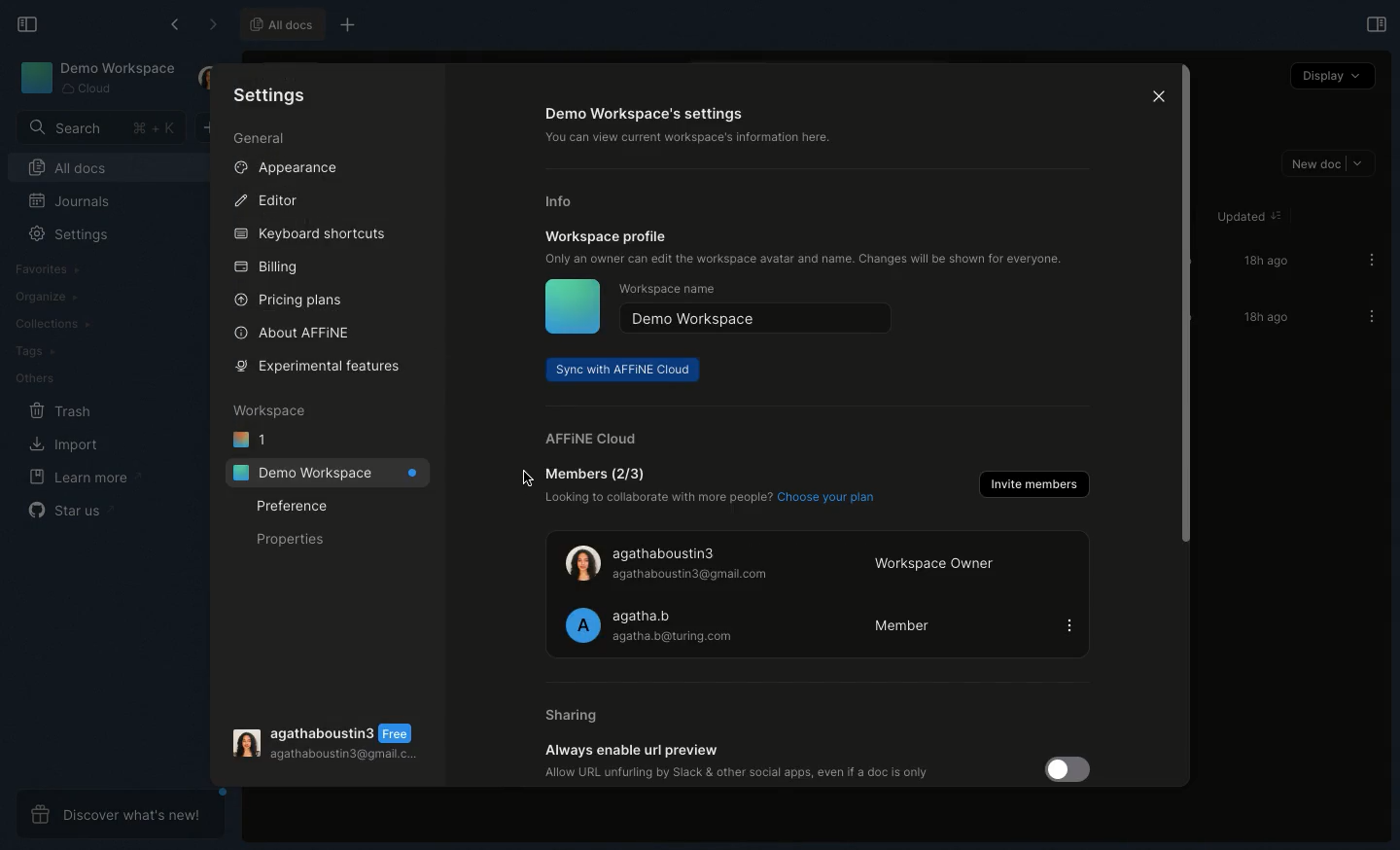 Image resolution: width=1400 pixels, height=850 pixels. I want to click on Members (2/3), so click(716, 488).